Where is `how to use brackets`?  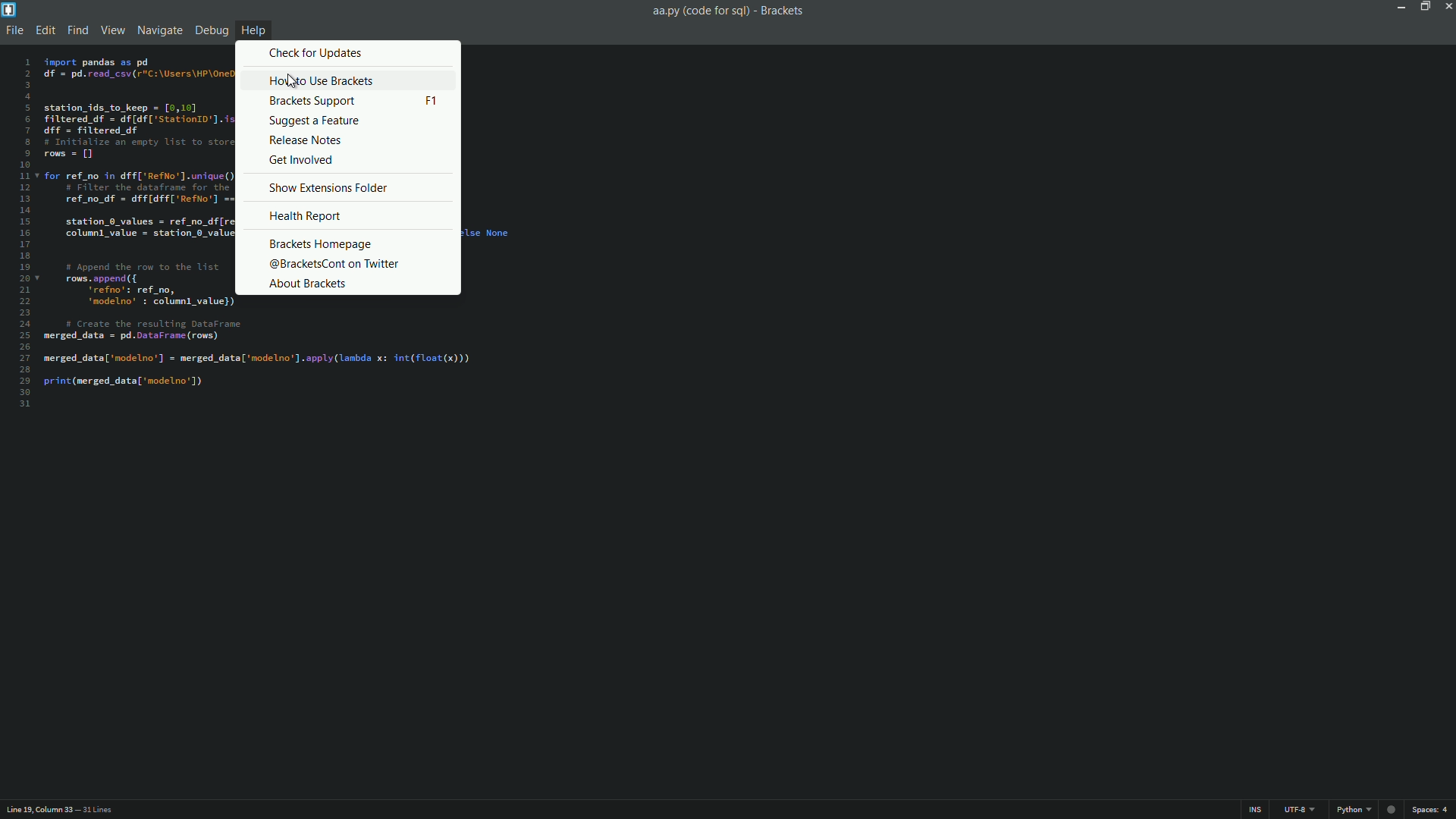 how to use brackets is located at coordinates (322, 80).